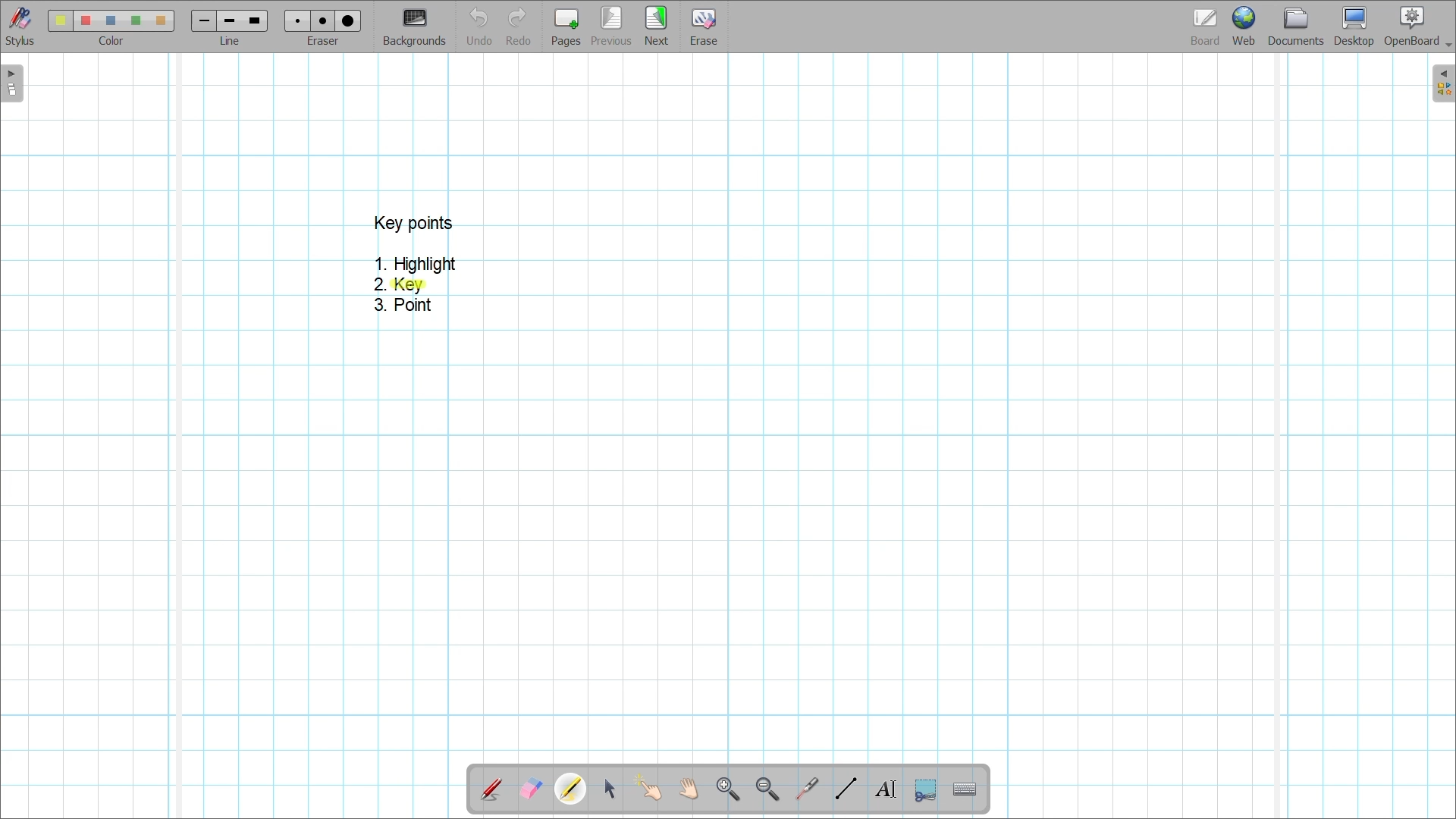  Describe the element at coordinates (570, 789) in the screenshot. I see `Highlighter` at that location.